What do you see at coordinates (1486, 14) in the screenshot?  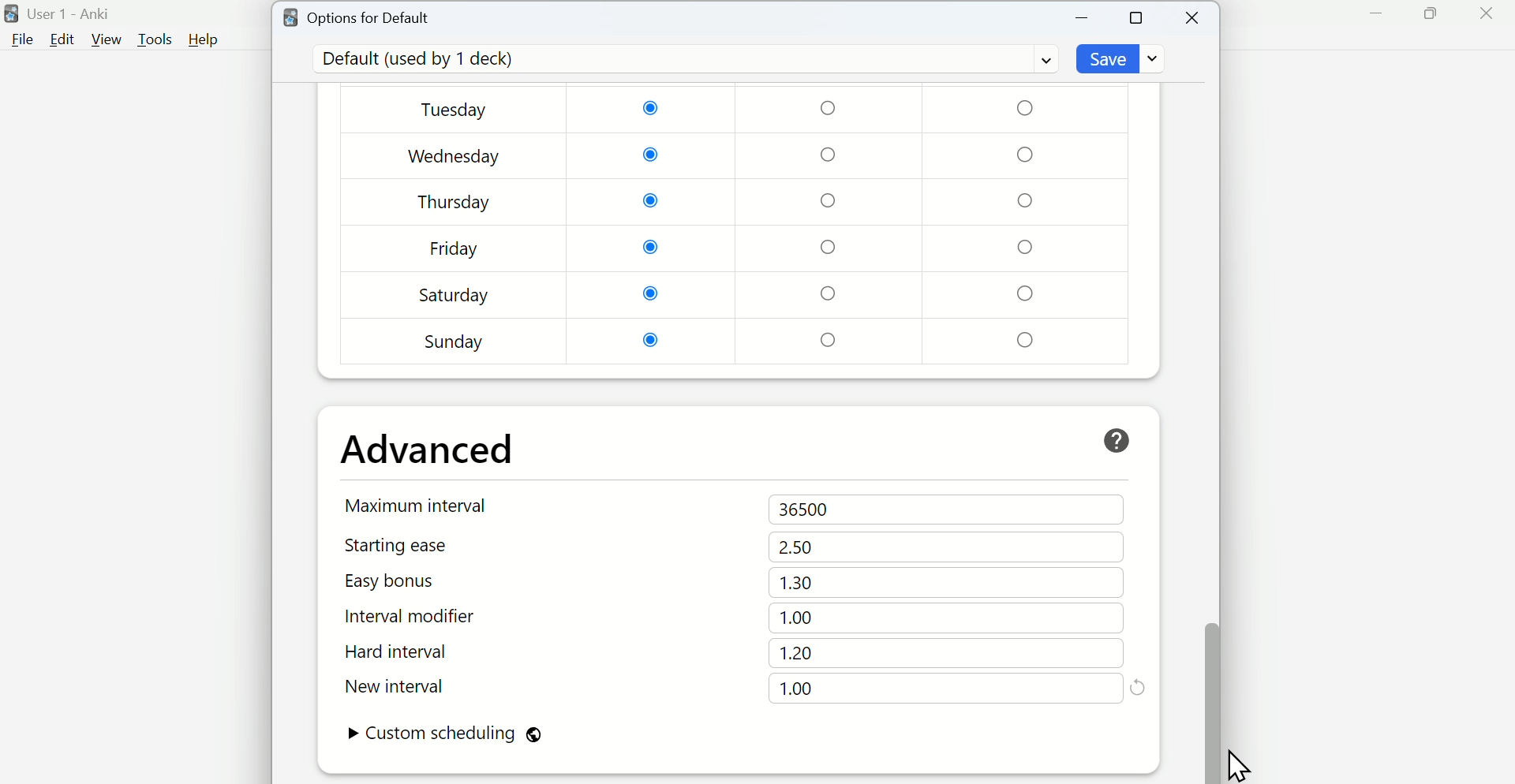 I see `Close` at bounding box center [1486, 14].